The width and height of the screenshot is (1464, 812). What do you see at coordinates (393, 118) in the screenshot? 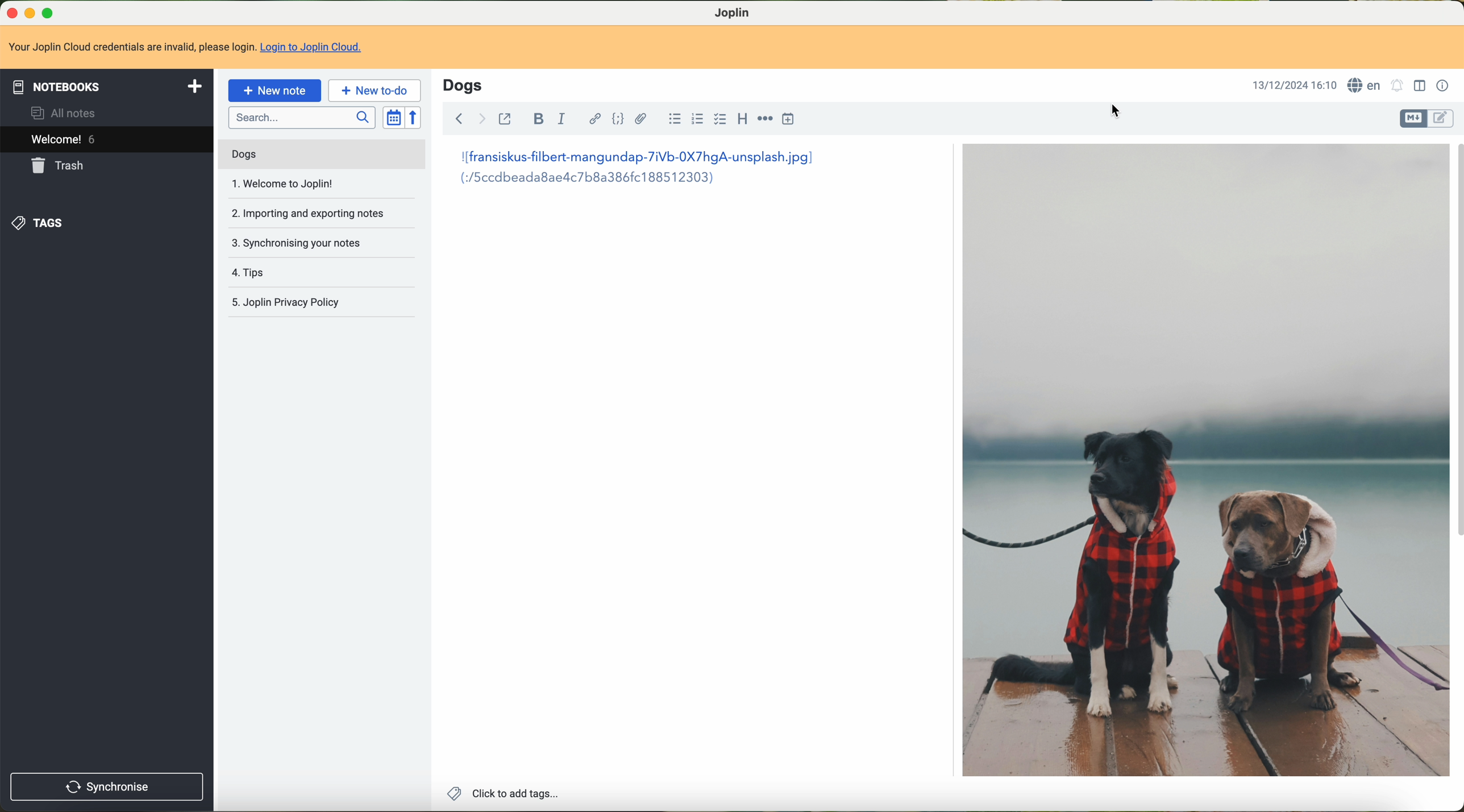
I see `toggle sort order field` at bounding box center [393, 118].